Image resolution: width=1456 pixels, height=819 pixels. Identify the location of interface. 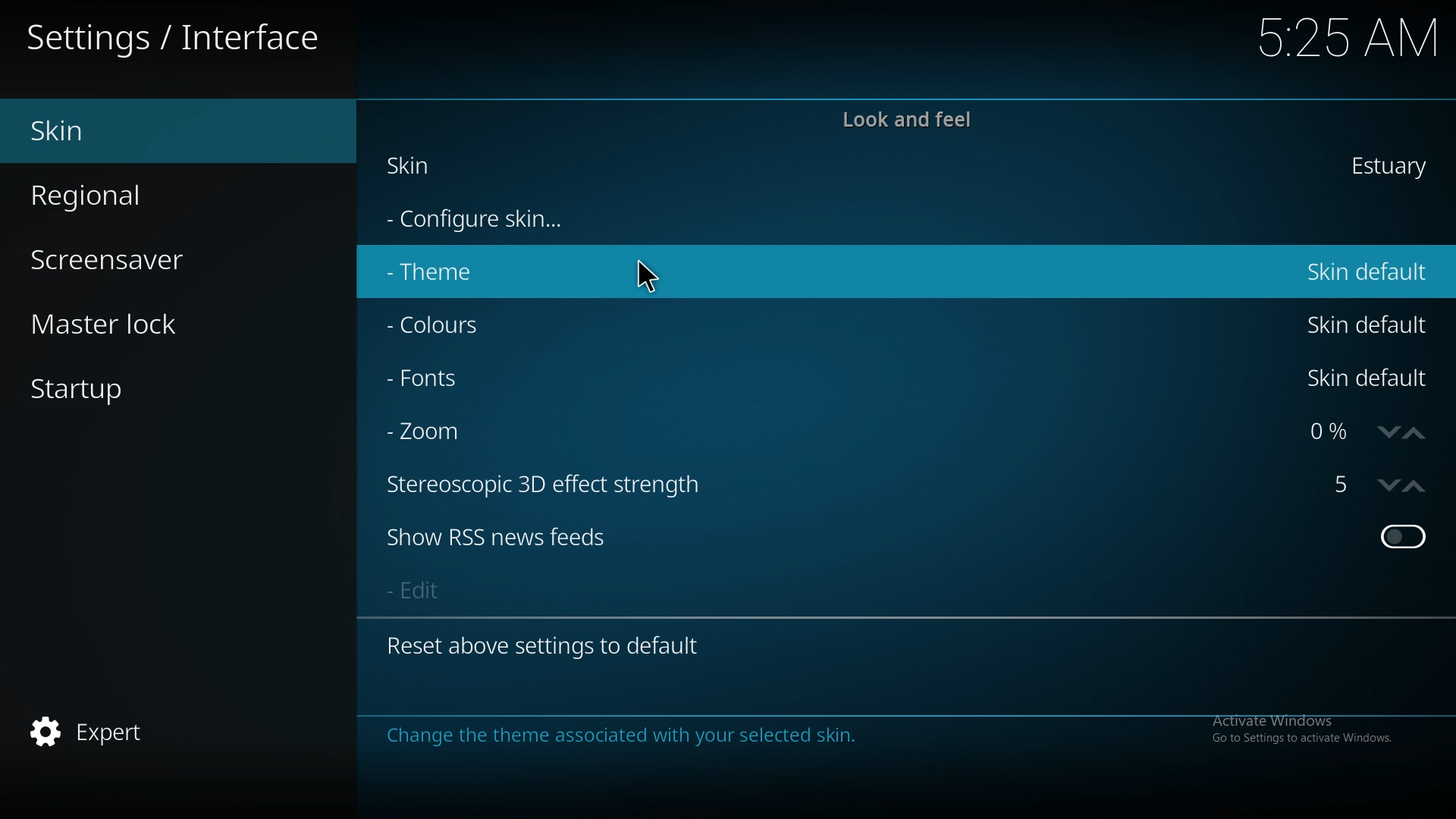
(177, 33).